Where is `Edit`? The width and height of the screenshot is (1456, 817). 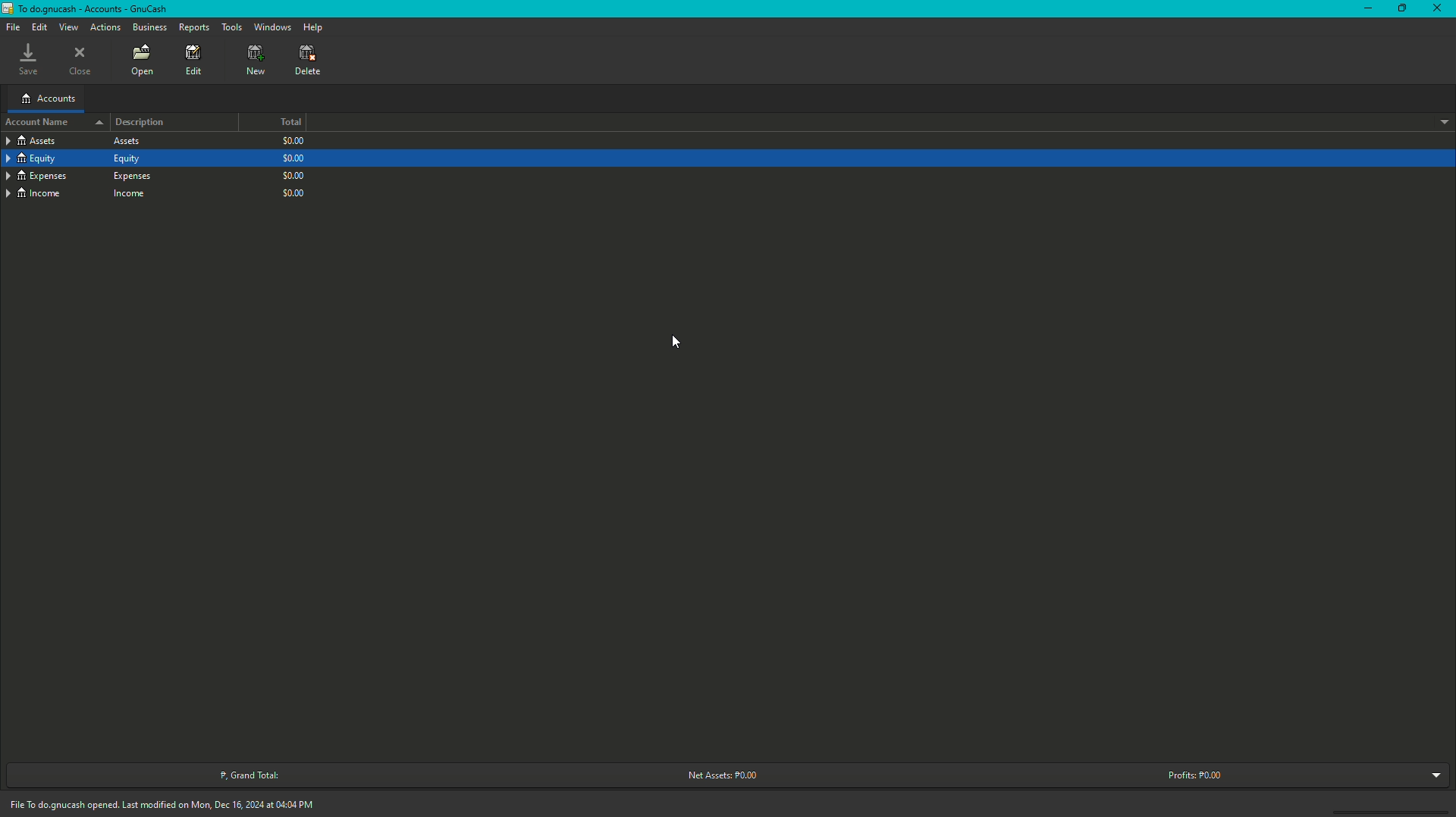 Edit is located at coordinates (41, 27).